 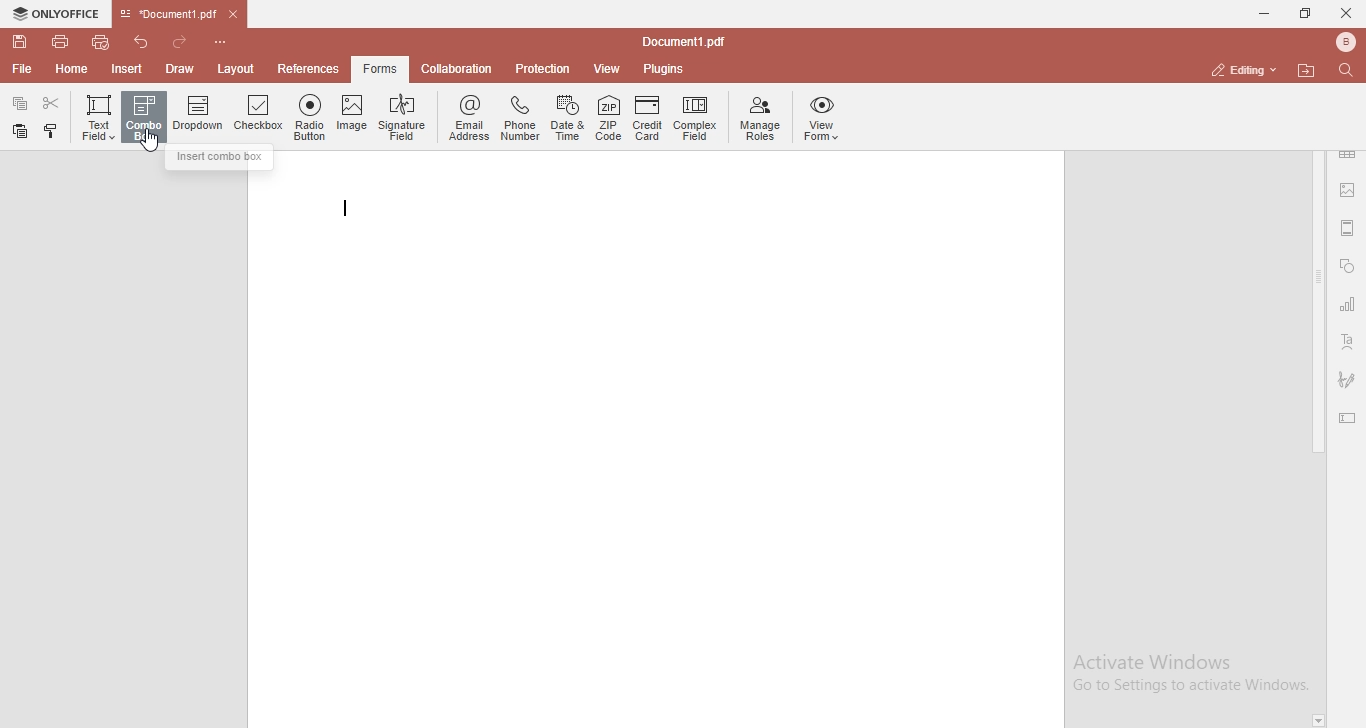 What do you see at coordinates (1351, 420) in the screenshot?
I see `edit text` at bounding box center [1351, 420].